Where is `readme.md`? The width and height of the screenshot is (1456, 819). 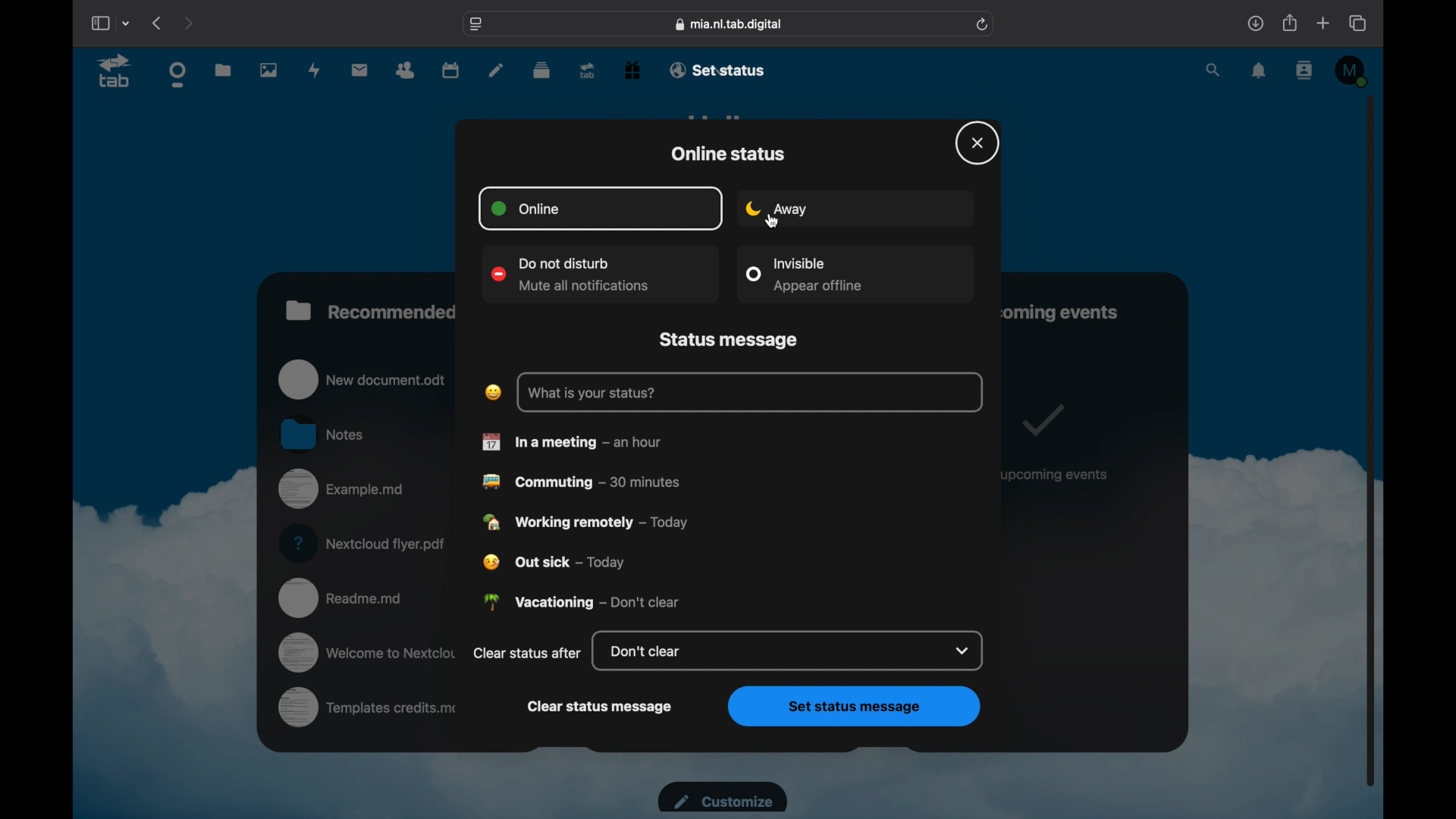 readme.md is located at coordinates (342, 596).